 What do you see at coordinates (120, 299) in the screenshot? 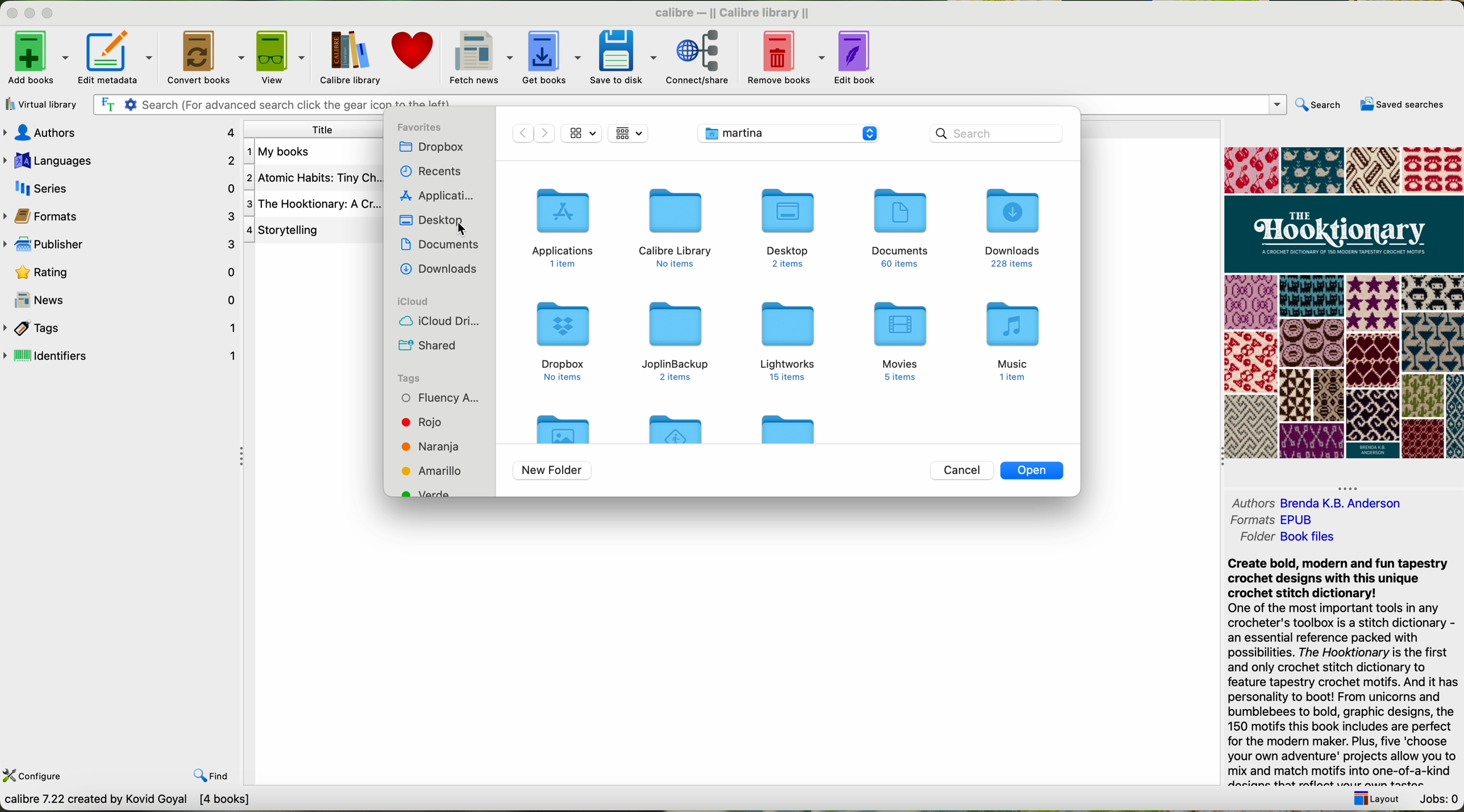
I see `news` at bounding box center [120, 299].